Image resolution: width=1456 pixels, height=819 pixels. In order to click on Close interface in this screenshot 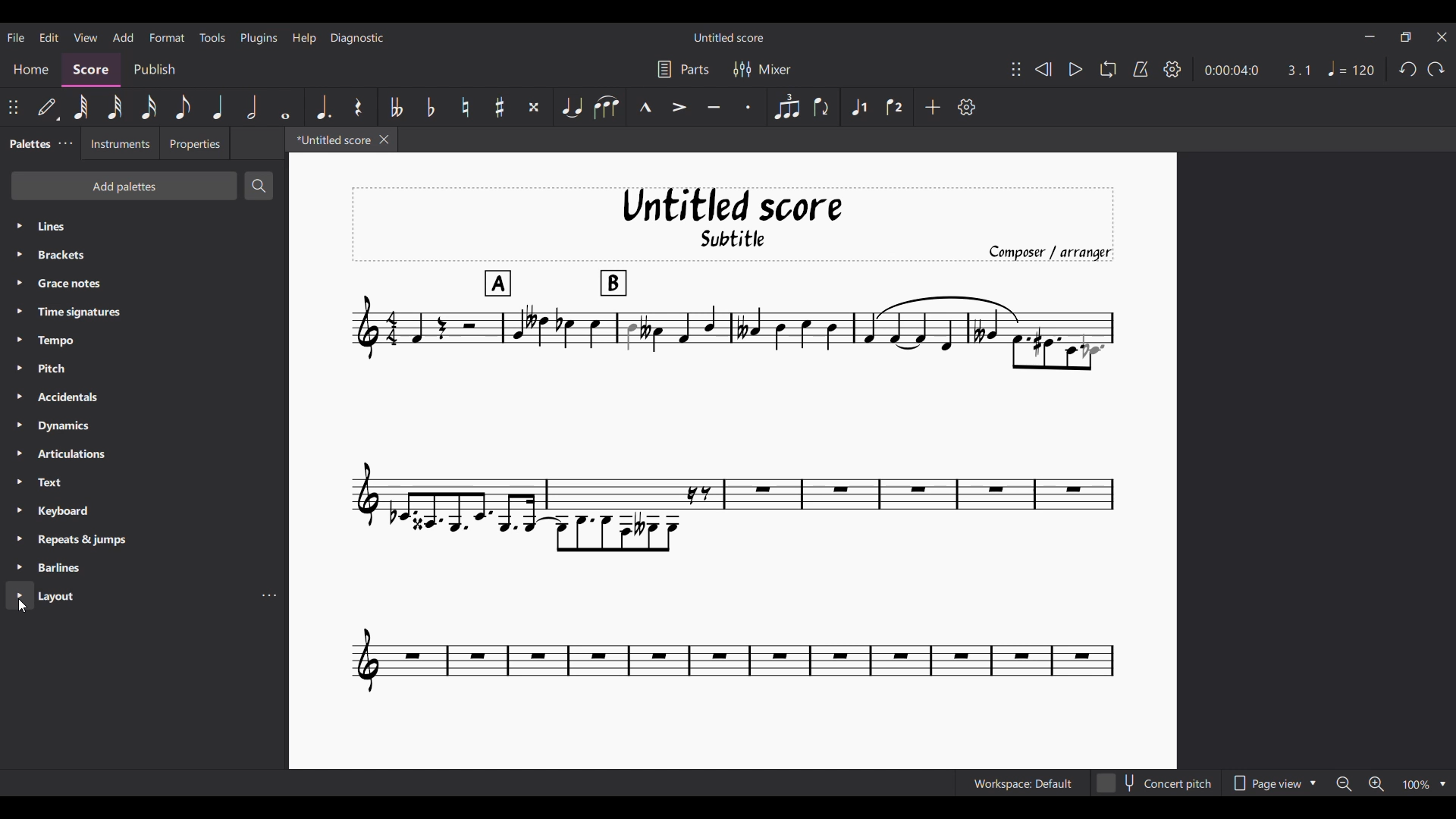, I will do `click(1442, 37)`.